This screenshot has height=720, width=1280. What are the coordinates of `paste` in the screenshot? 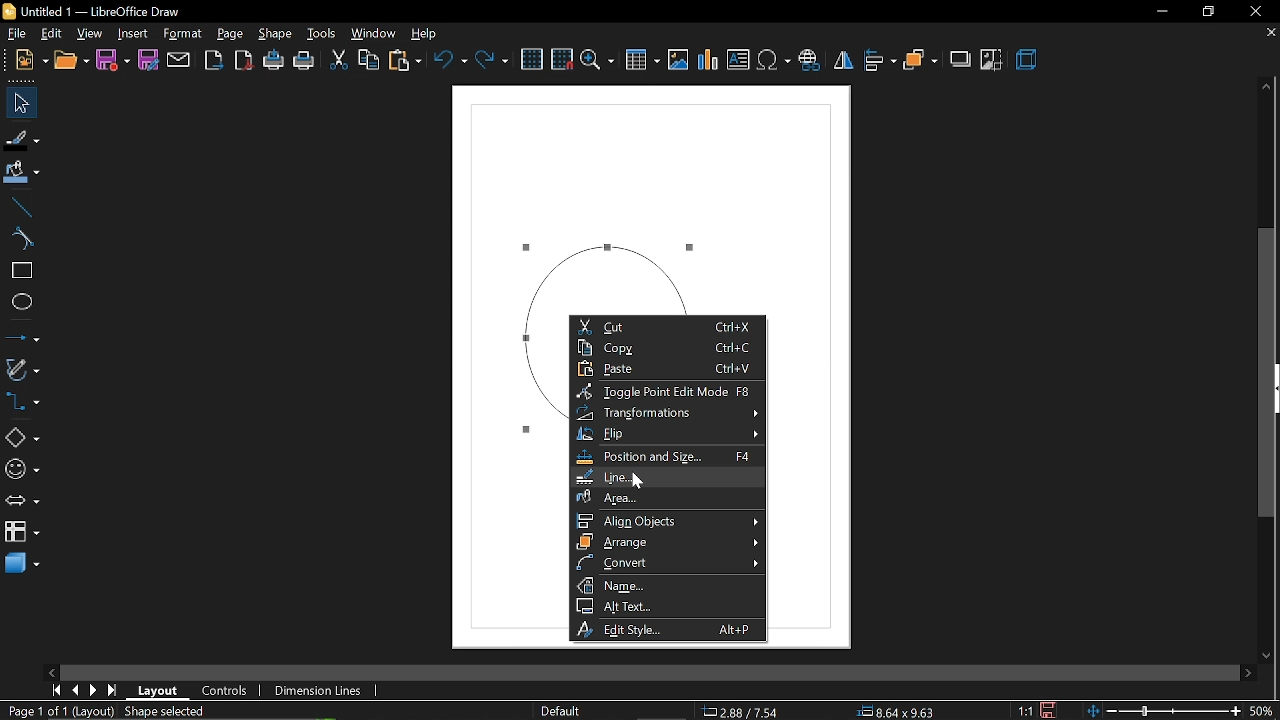 It's located at (404, 63).